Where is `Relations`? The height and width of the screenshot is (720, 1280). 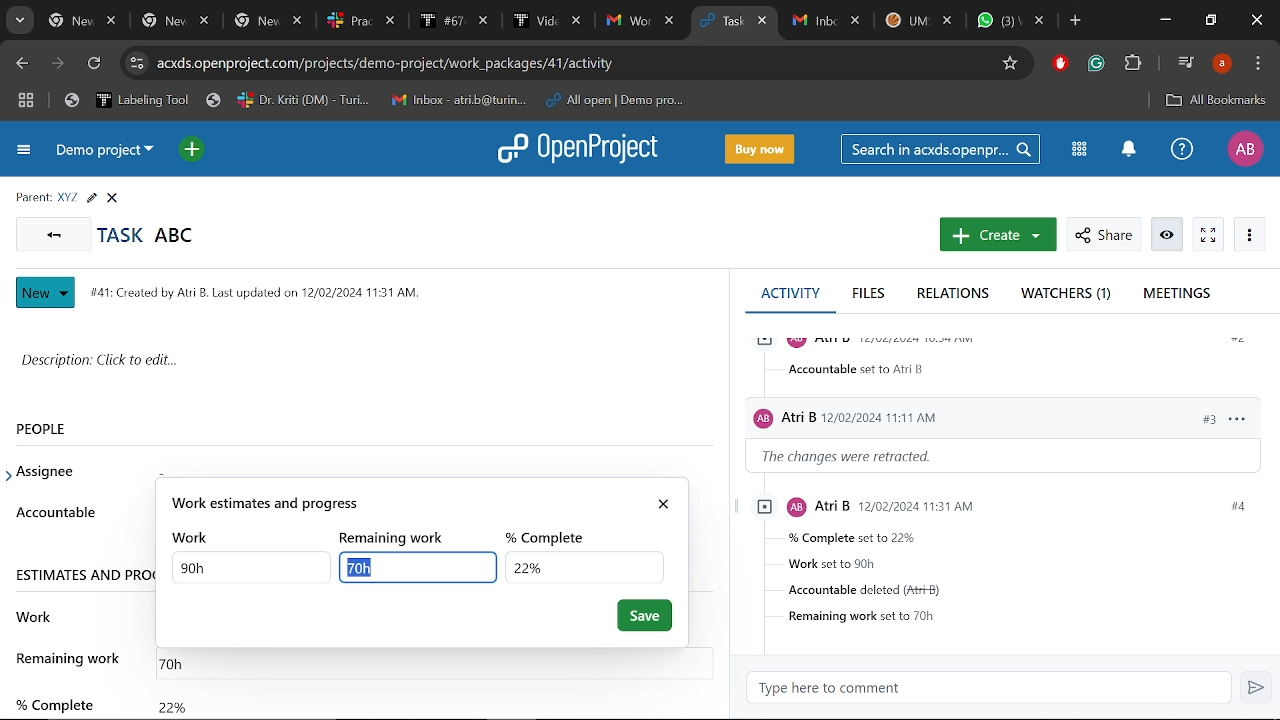
Relations is located at coordinates (953, 295).